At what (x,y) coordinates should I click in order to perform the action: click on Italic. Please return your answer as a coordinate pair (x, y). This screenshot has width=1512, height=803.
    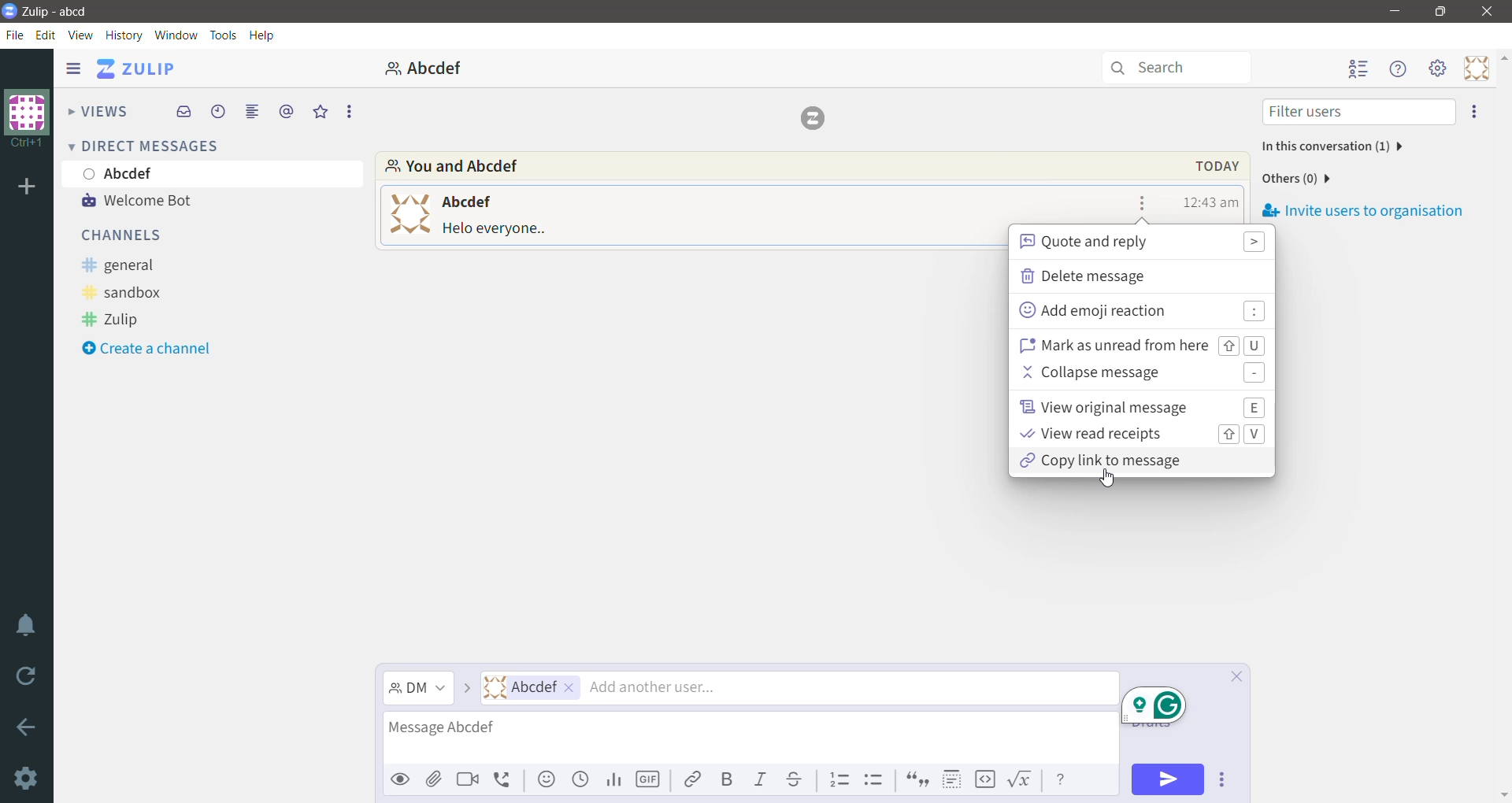
    Looking at the image, I should click on (759, 779).